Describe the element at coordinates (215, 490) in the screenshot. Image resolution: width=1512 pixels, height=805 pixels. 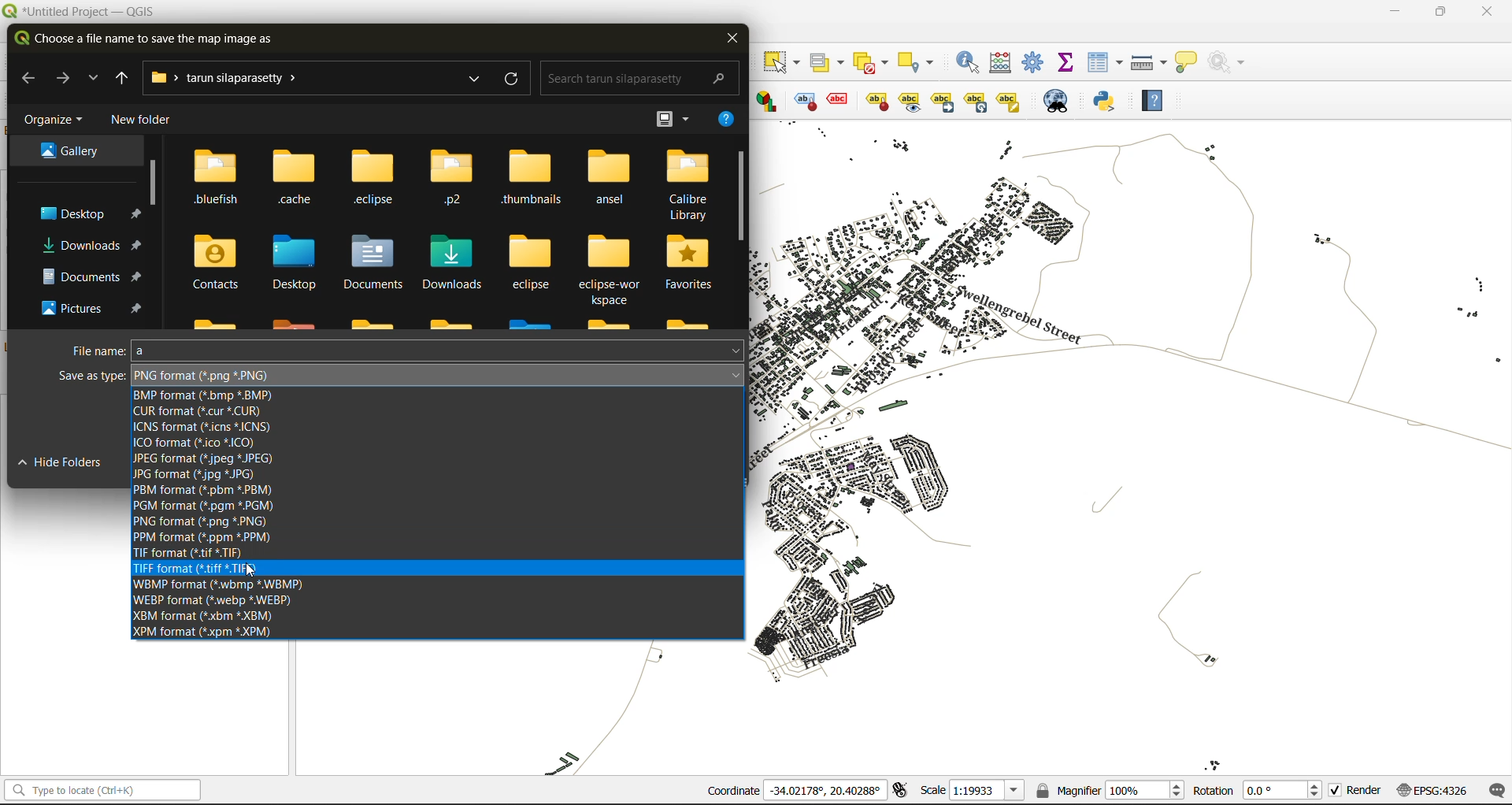
I see `pbm` at that location.